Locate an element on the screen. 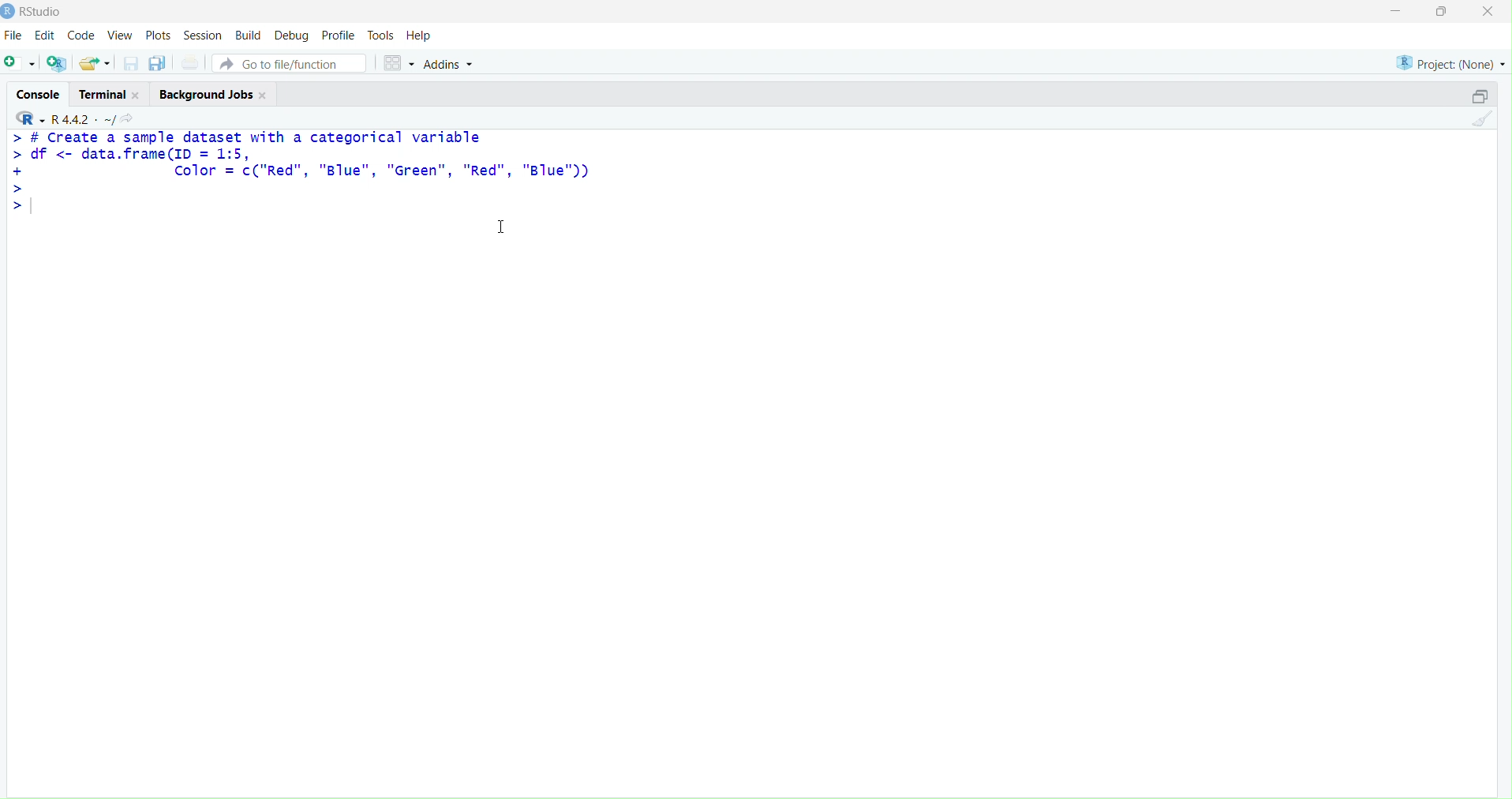 This screenshot has width=1512, height=799. background jobs is located at coordinates (208, 96).